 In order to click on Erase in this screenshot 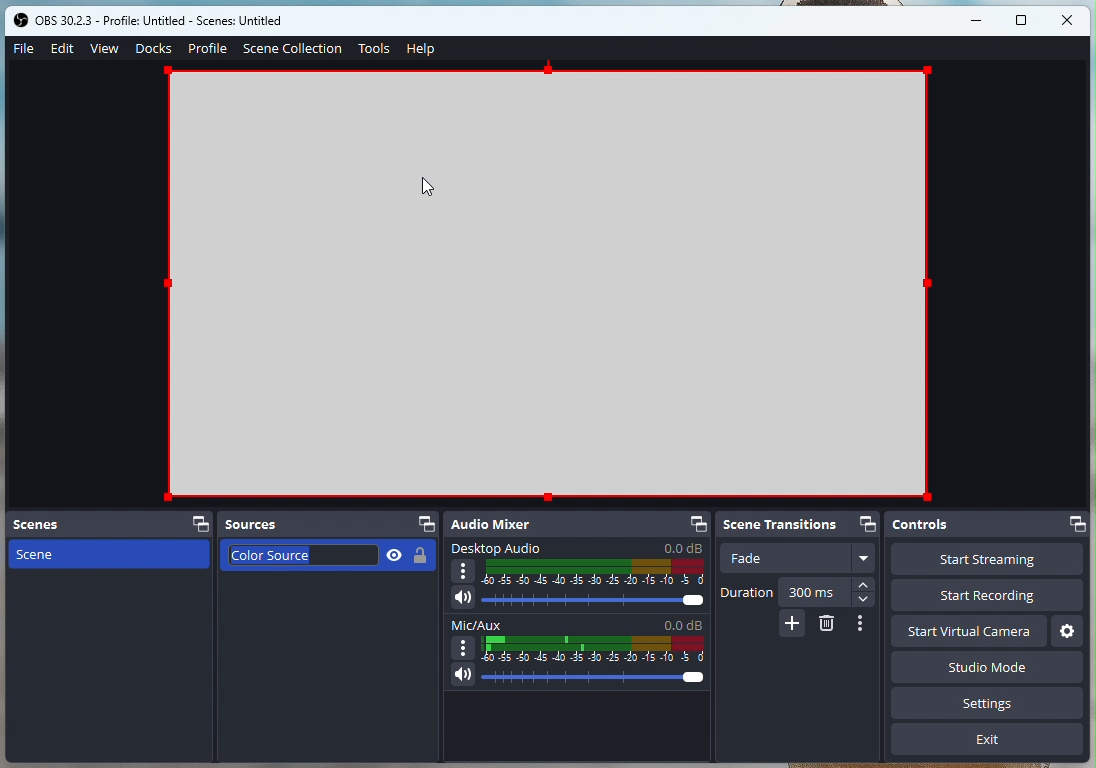, I will do `click(827, 625)`.